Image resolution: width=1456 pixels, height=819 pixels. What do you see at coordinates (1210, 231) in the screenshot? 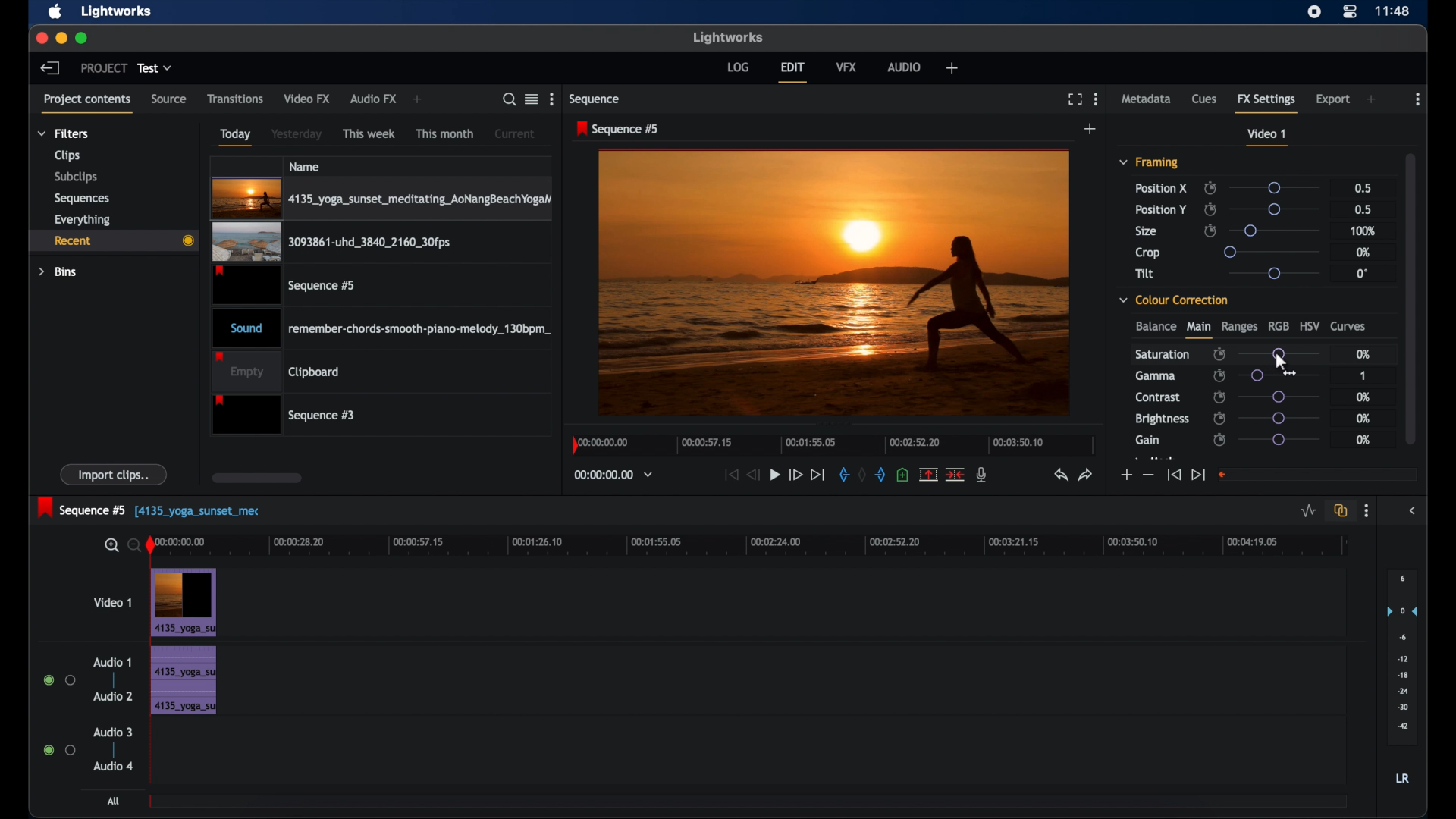
I see `enable/disable keyframes` at bounding box center [1210, 231].